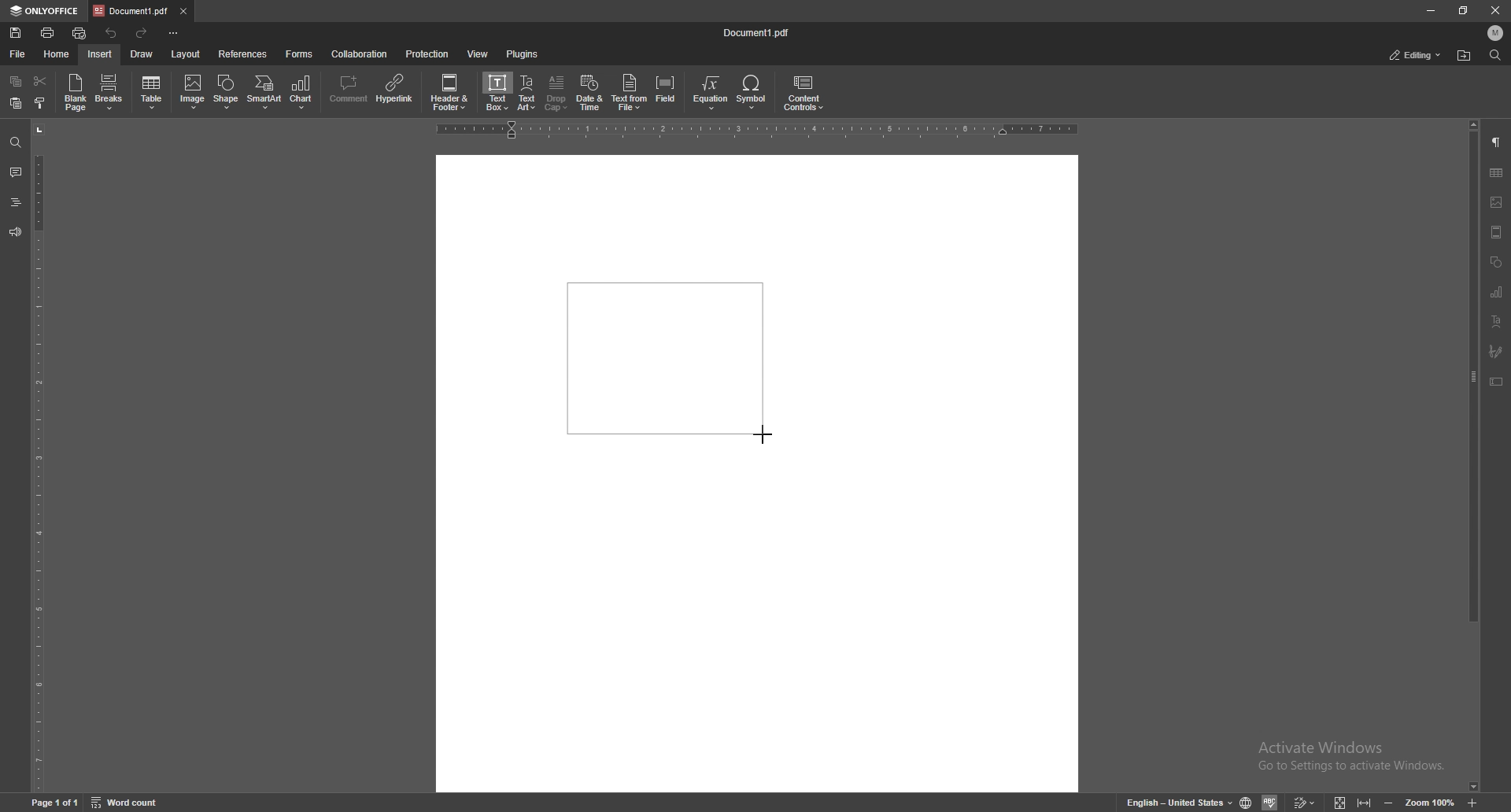 This screenshot has height=812, width=1511. What do you see at coordinates (753, 93) in the screenshot?
I see `symbol` at bounding box center [753, 93].